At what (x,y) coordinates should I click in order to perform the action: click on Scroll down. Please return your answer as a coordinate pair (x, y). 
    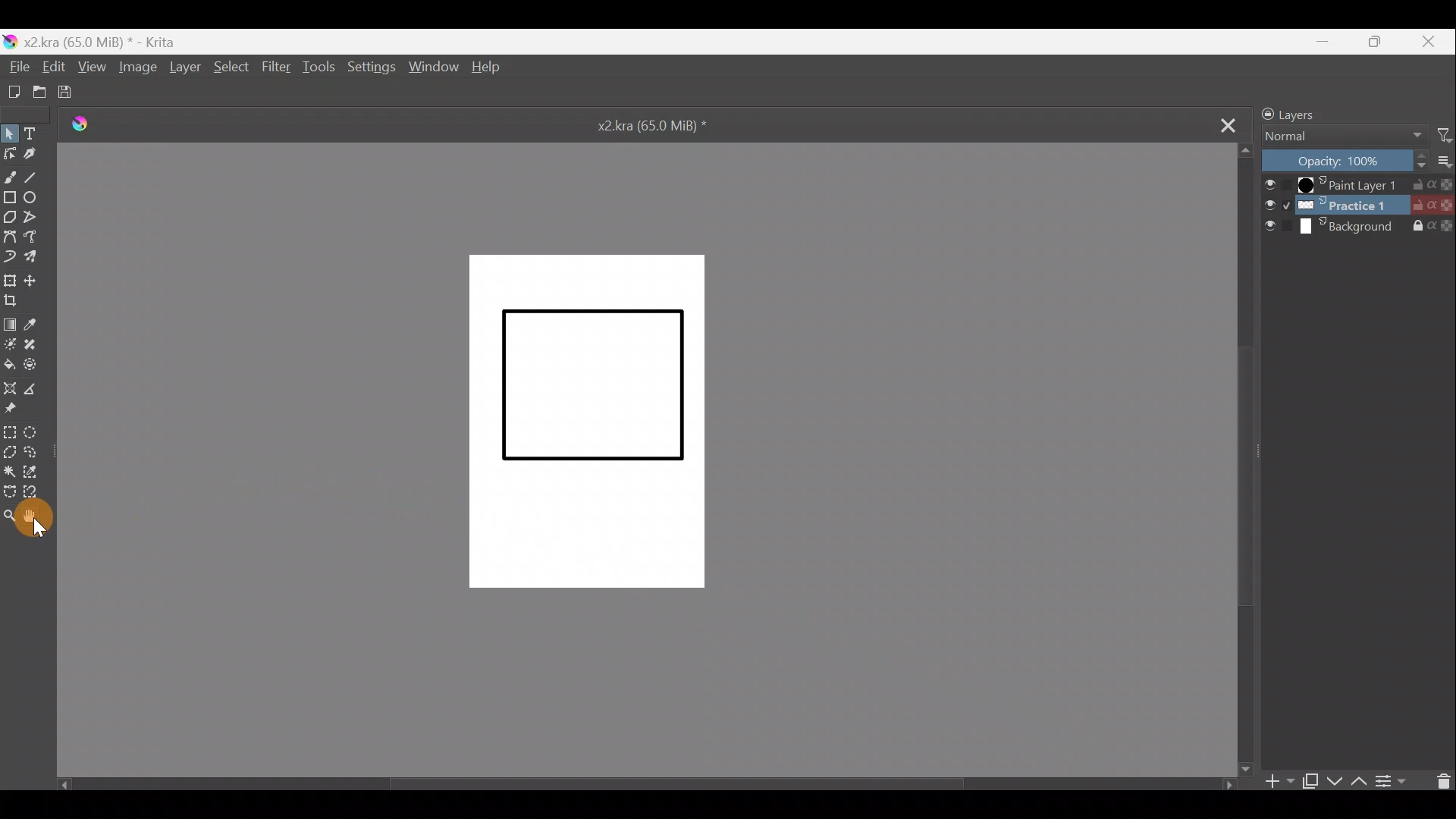
    Looking at the image, I should click on (1247, 459).